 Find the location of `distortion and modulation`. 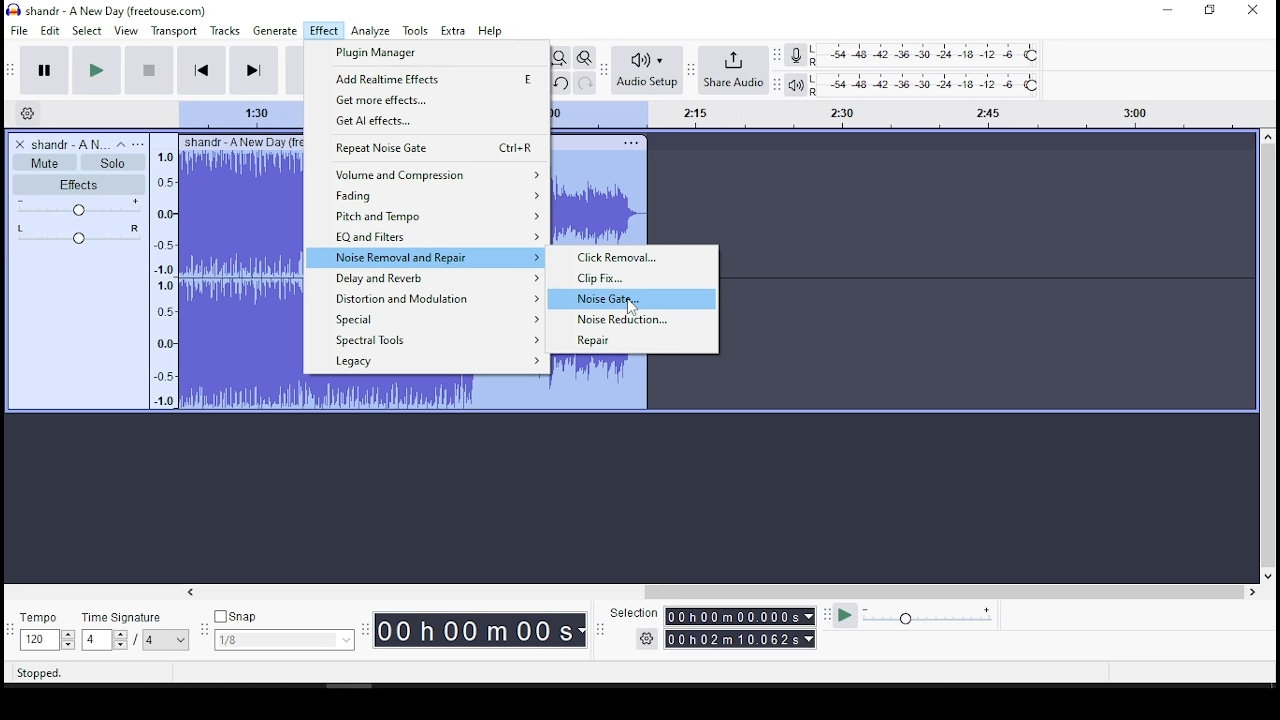

distortion and modulation is located at coordinates (425, 298).